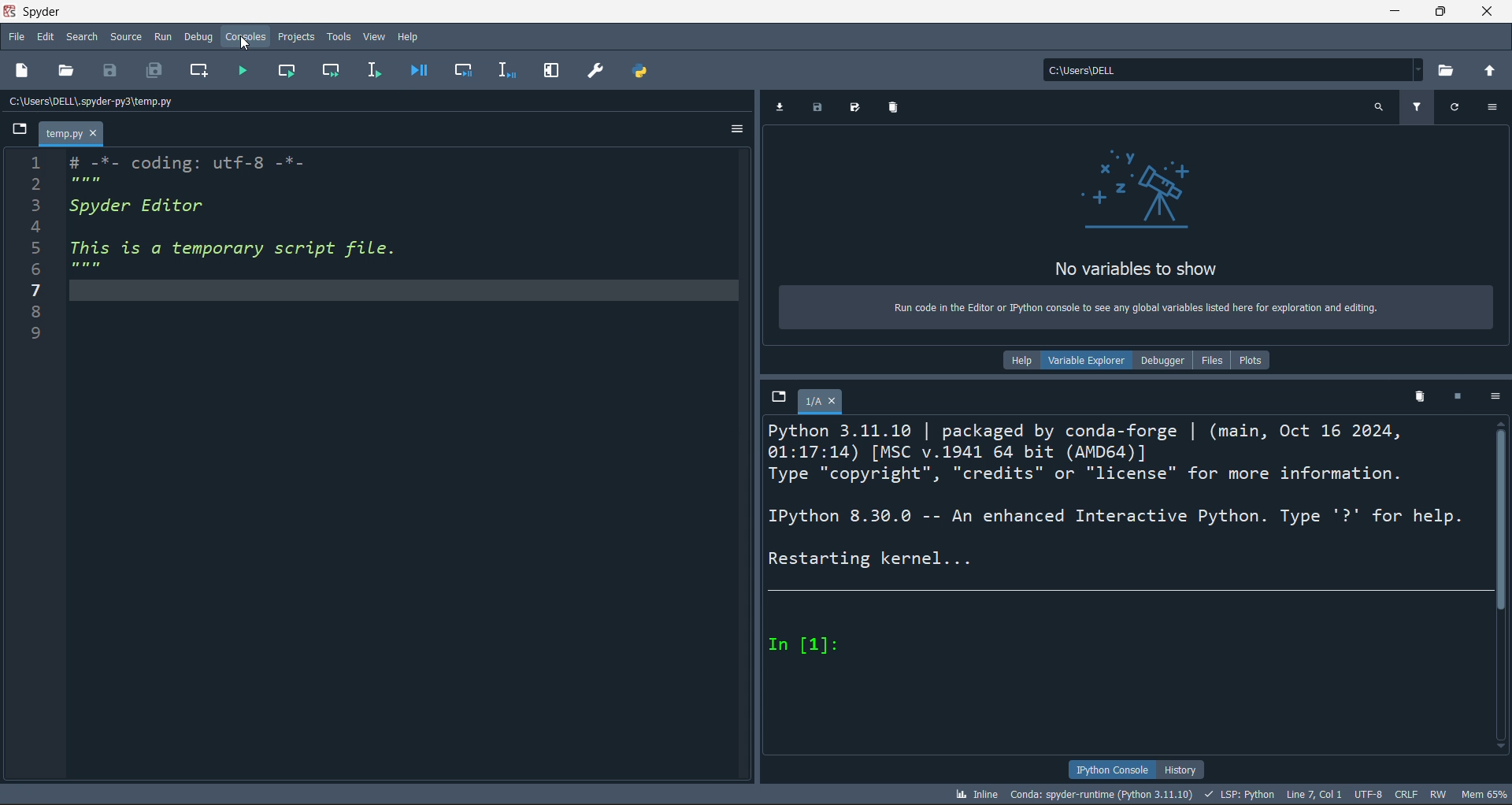 The image size is (1512, 805). What do you see at coordinates (1184, 770) in the screenshot?
I see `history` at bounding box center [1184, 770].